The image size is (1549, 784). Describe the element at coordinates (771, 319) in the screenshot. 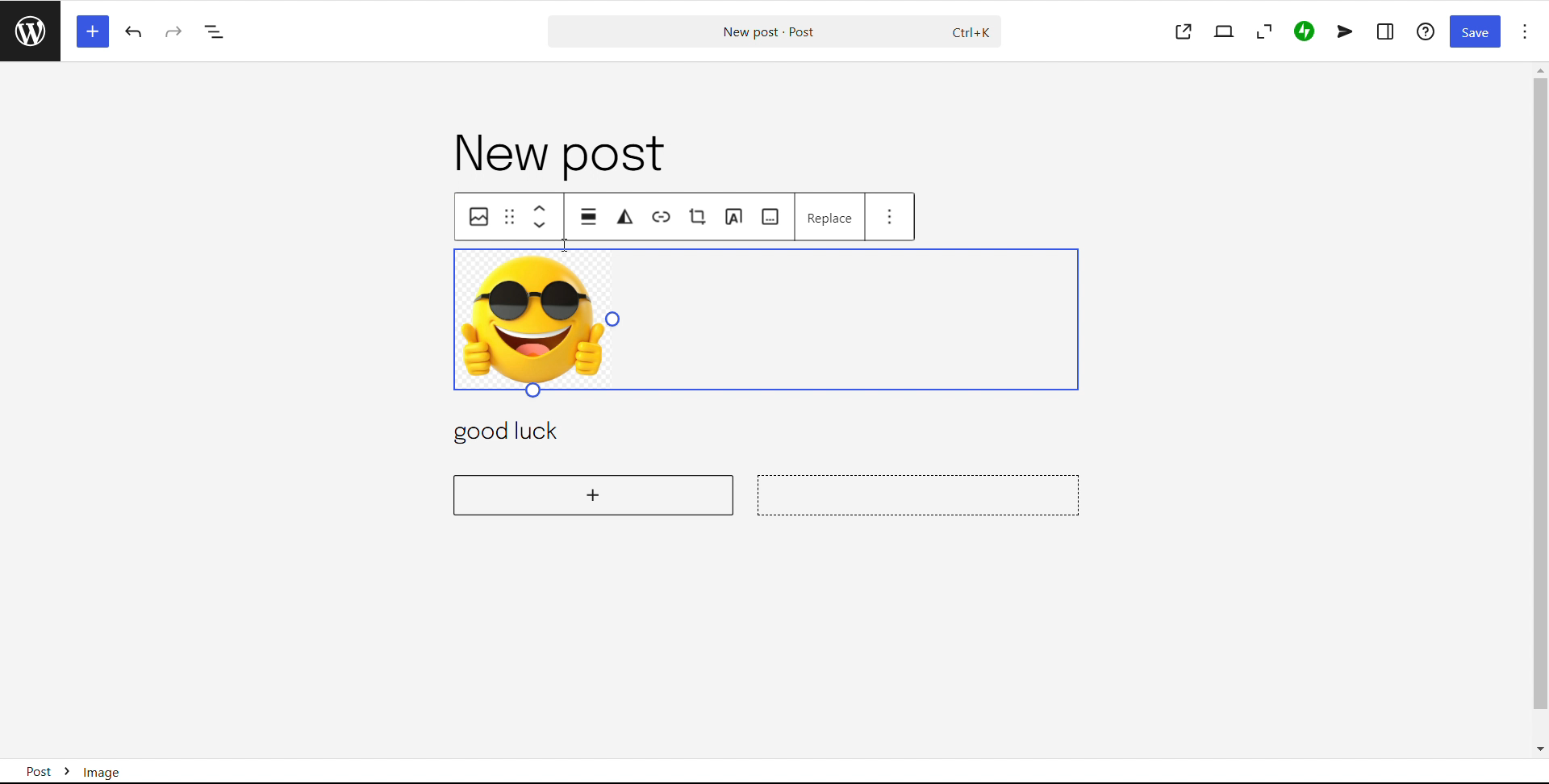

I see `image selected` at that location.